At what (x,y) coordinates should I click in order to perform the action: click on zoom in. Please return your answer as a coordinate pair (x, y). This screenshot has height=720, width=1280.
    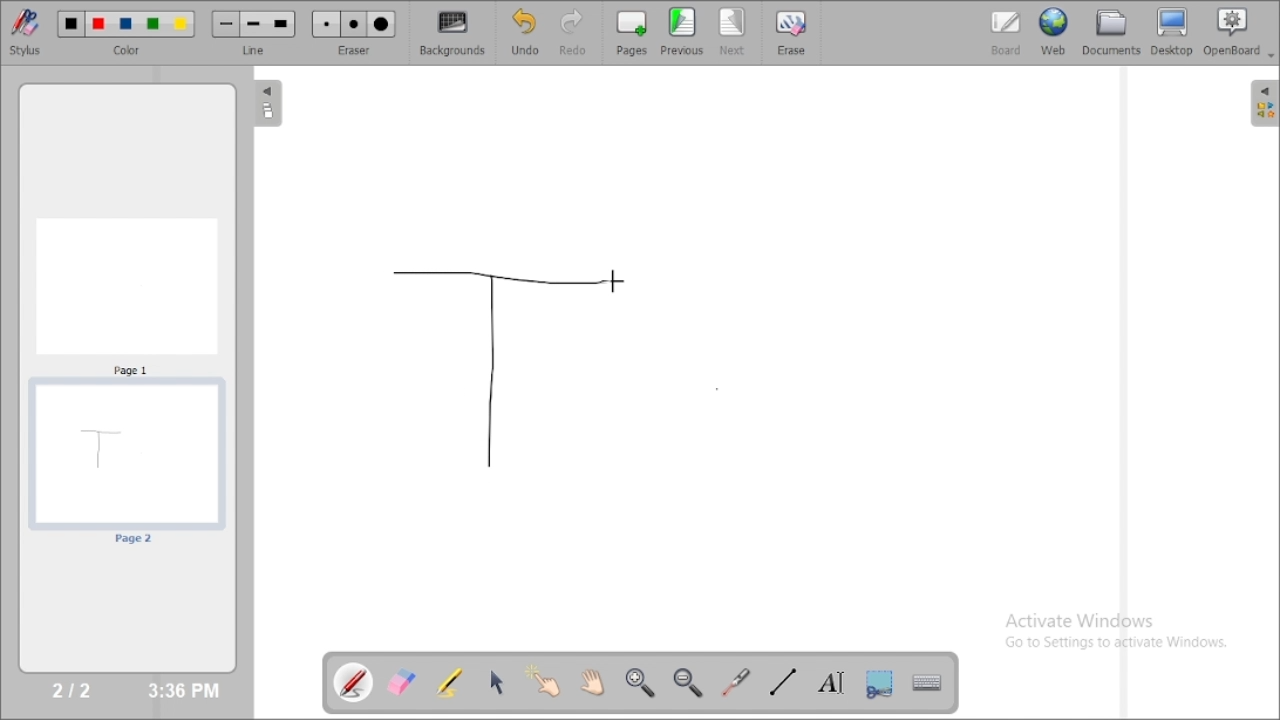
    Looking at the image, I should click on (639, 683).